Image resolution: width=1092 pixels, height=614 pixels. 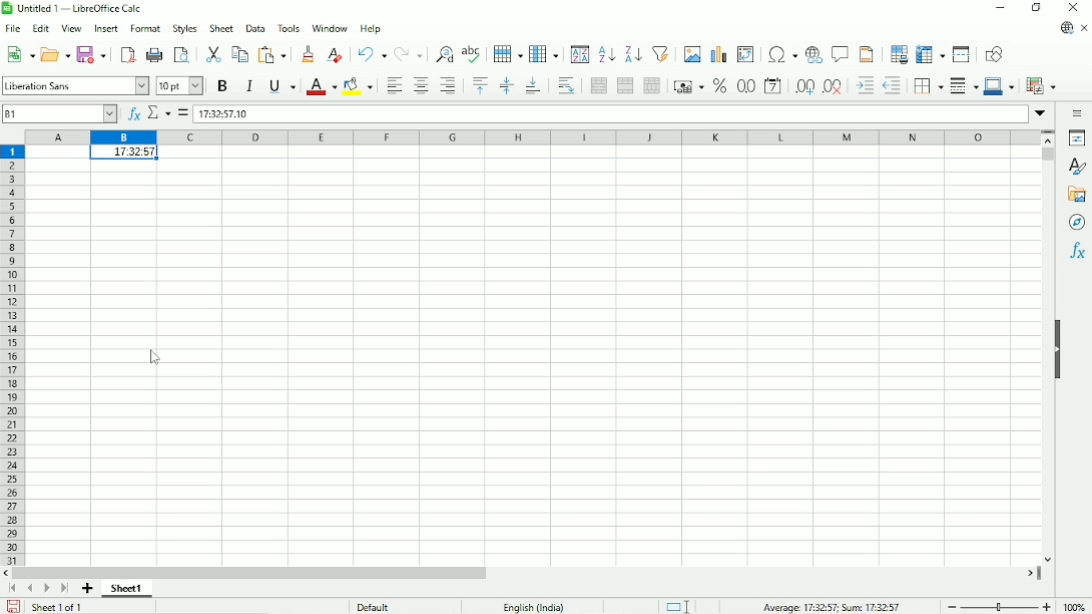 What do you see at coordinates (158, 113) in the screenshot?
I see `Select function` at bounding box center [158, 113].